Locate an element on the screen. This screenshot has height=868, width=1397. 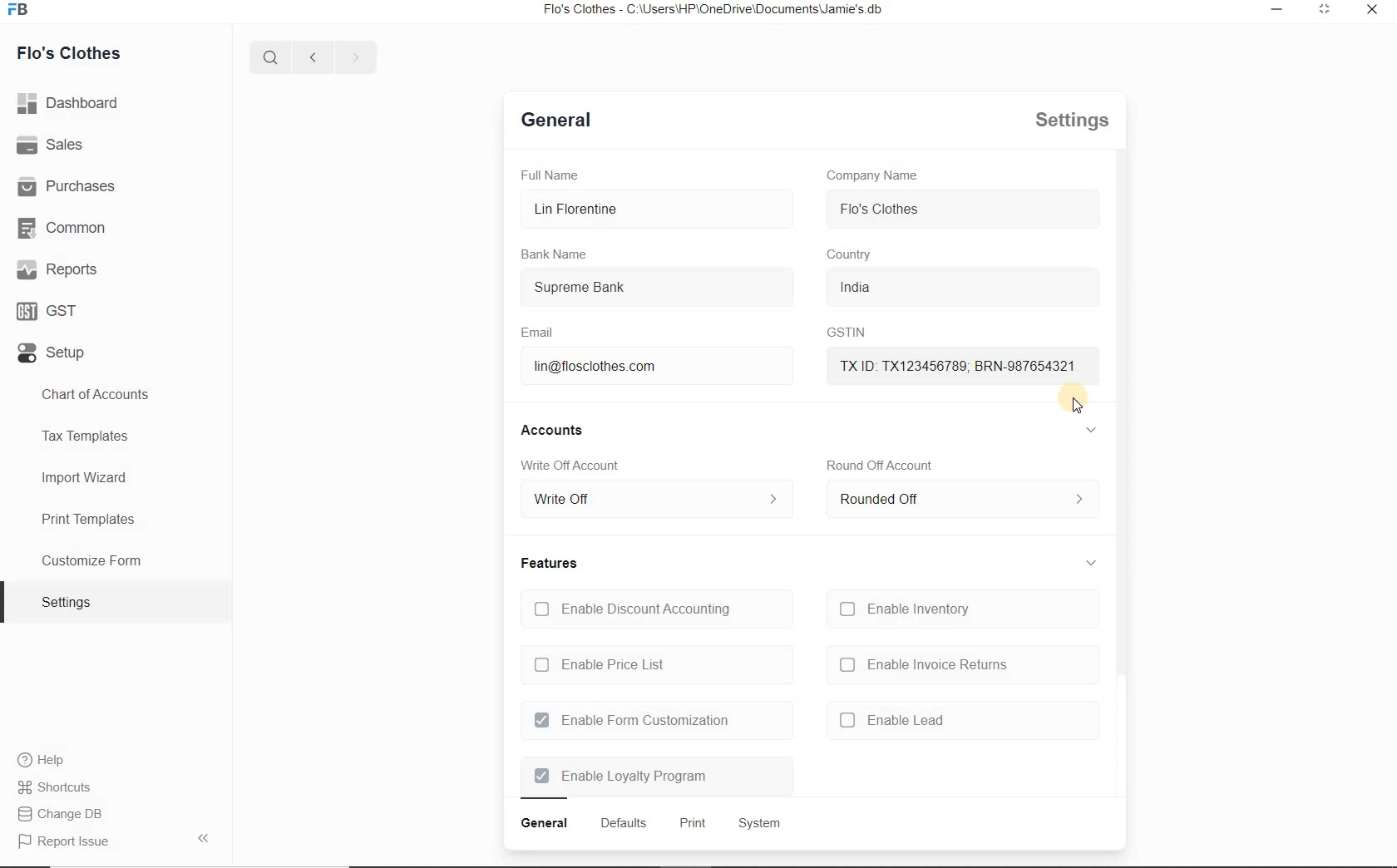
enable lead is located at coordinates (892, 719).